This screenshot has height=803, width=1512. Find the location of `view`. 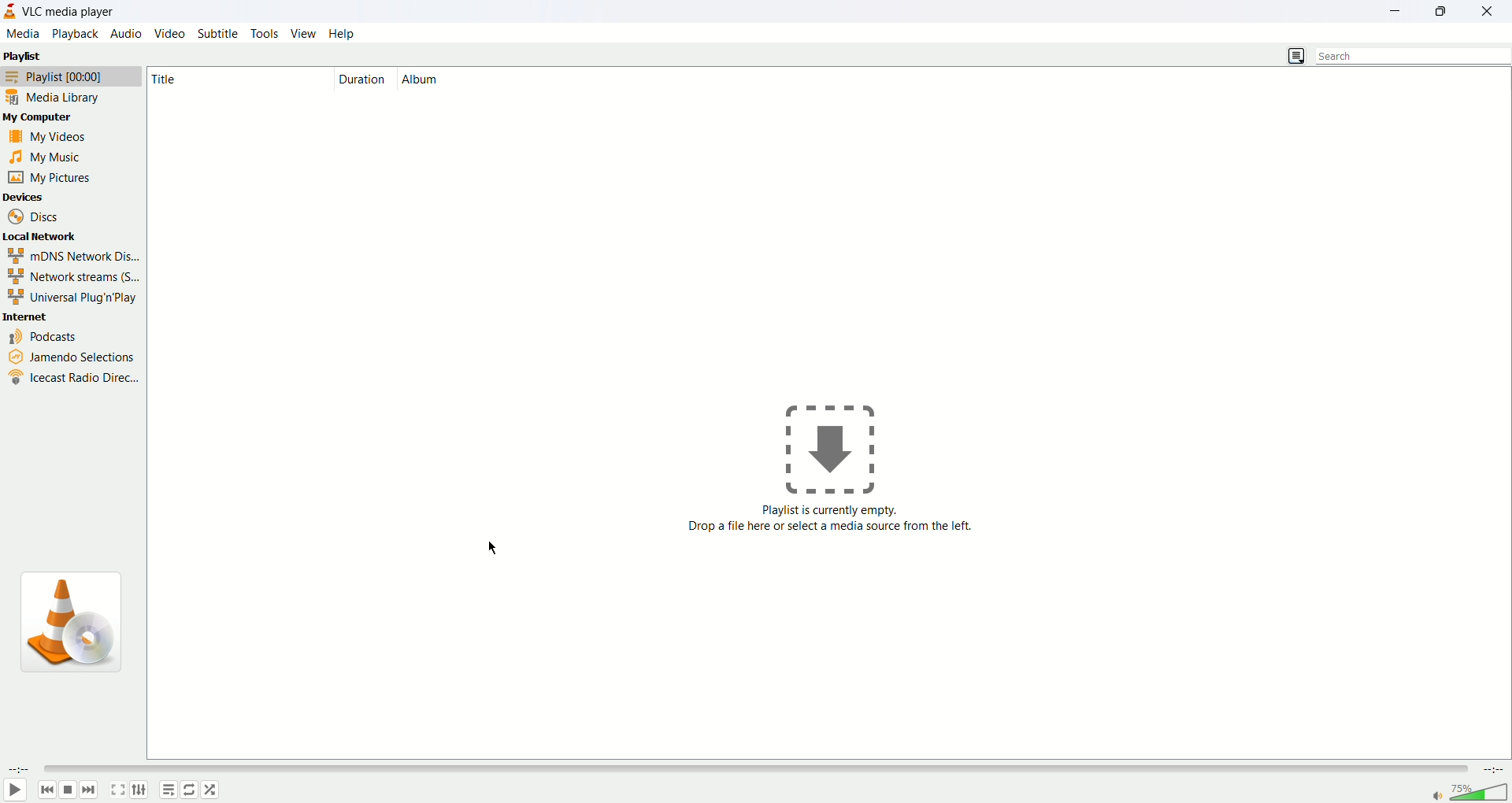

view is located at coordinates (303, 34).